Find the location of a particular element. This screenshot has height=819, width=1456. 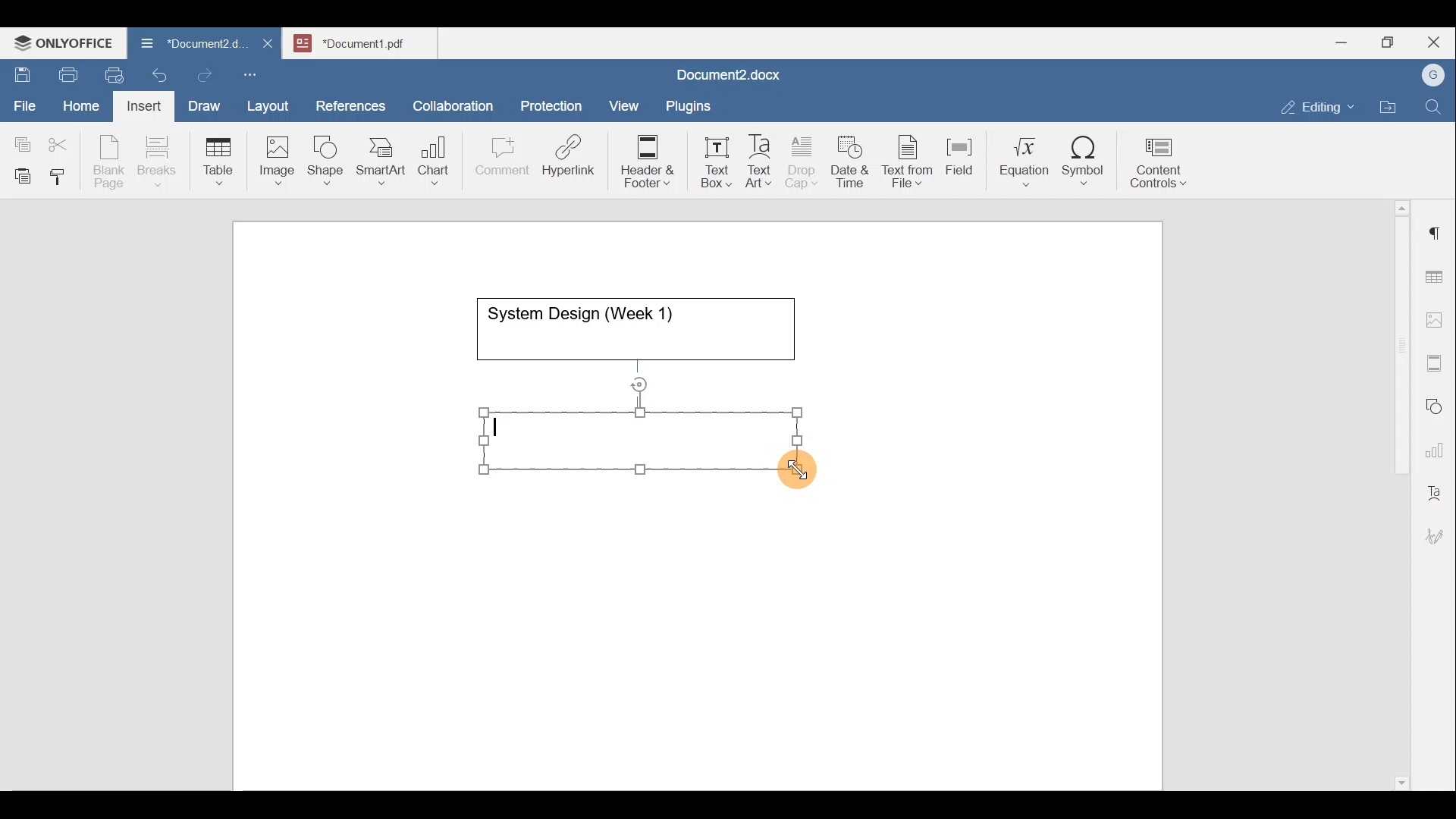

Image is located at coordinates (281, 155).